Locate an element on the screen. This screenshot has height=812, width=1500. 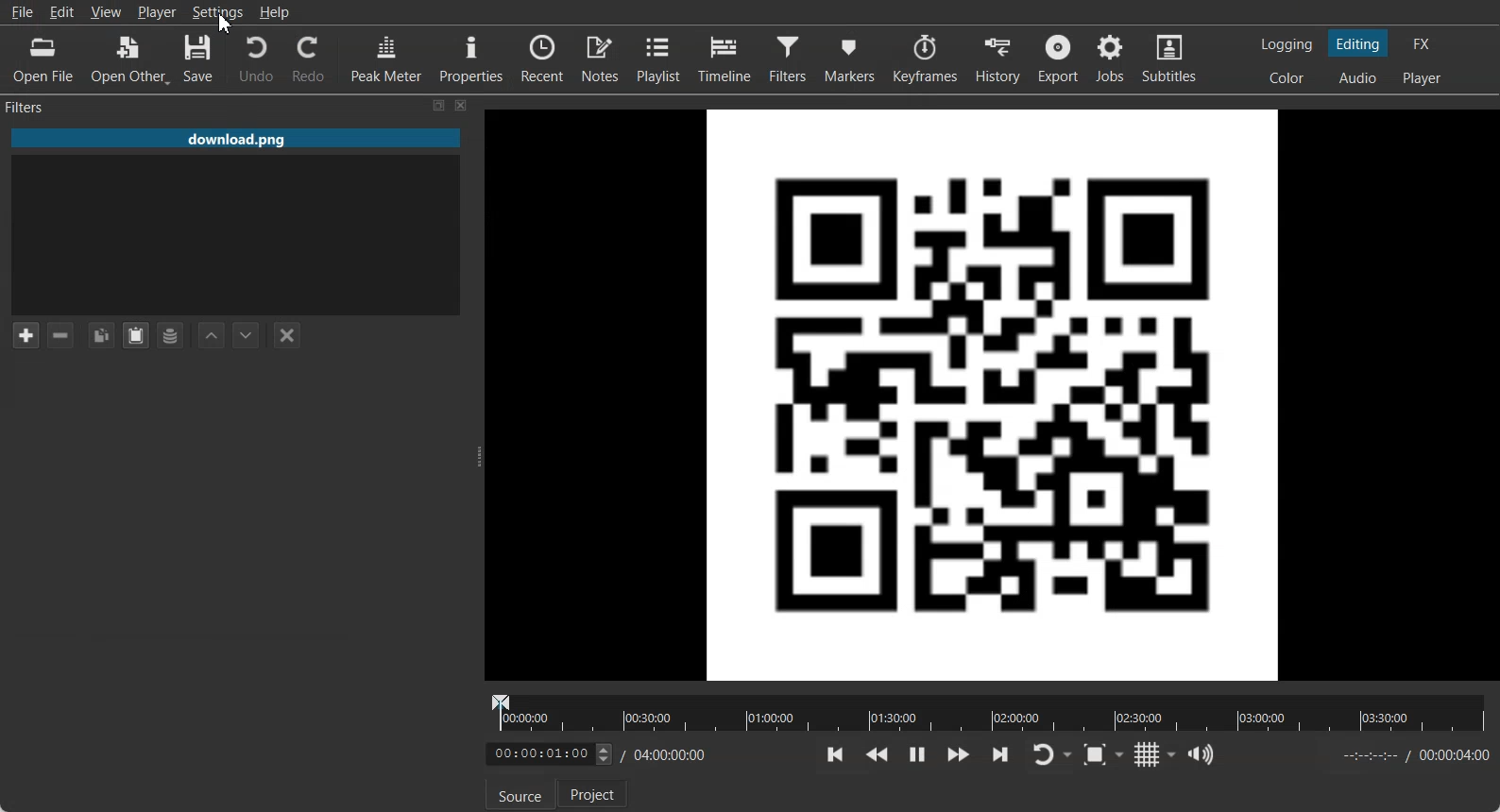
Move filter Down is located at coordinates (247, 335).